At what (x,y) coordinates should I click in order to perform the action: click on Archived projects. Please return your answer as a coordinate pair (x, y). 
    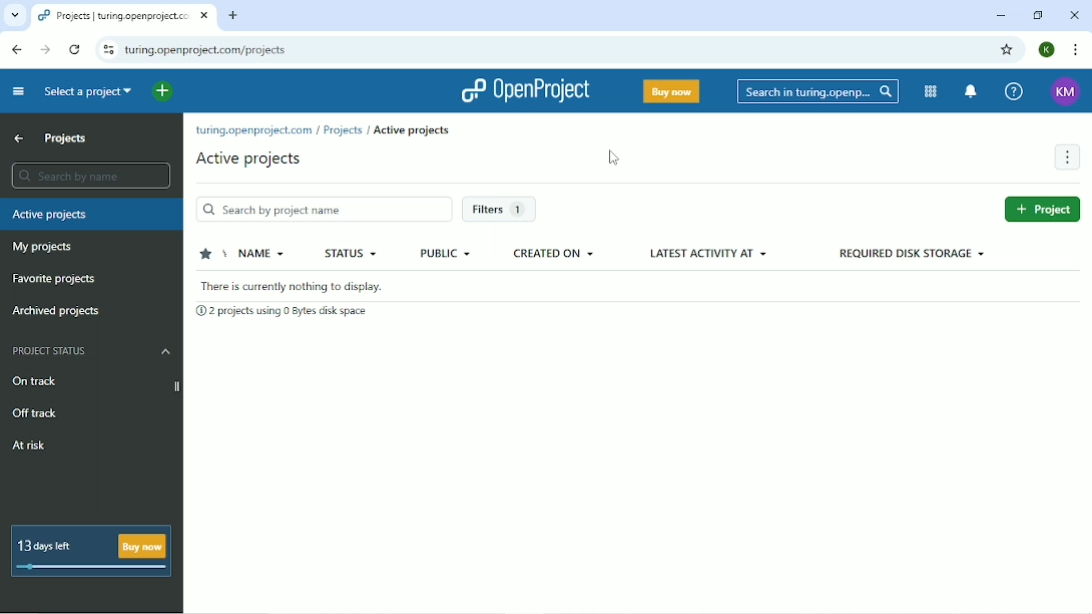
    Looking at the image, I should click on (55, 312).